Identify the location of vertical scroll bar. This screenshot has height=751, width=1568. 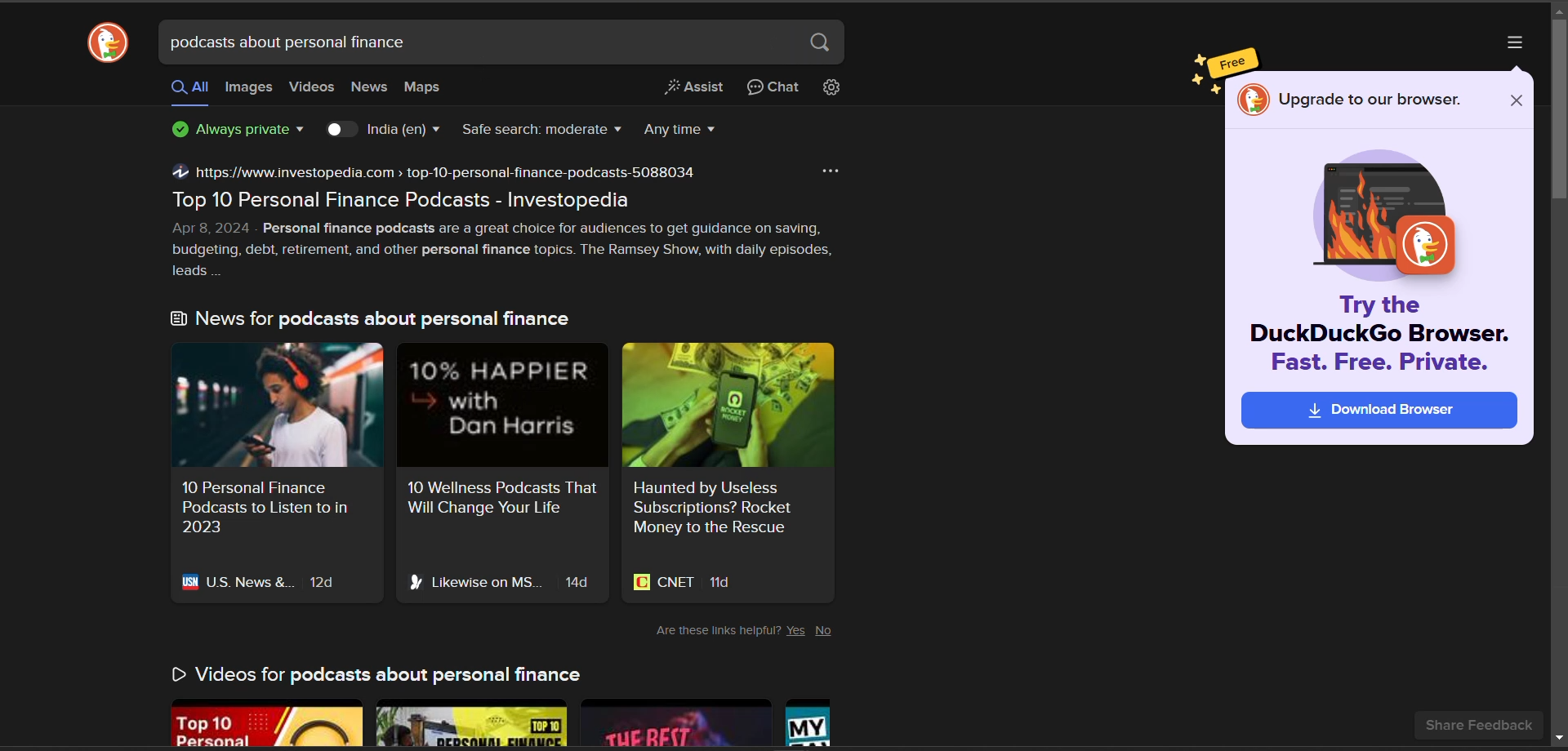
(1558, 111).